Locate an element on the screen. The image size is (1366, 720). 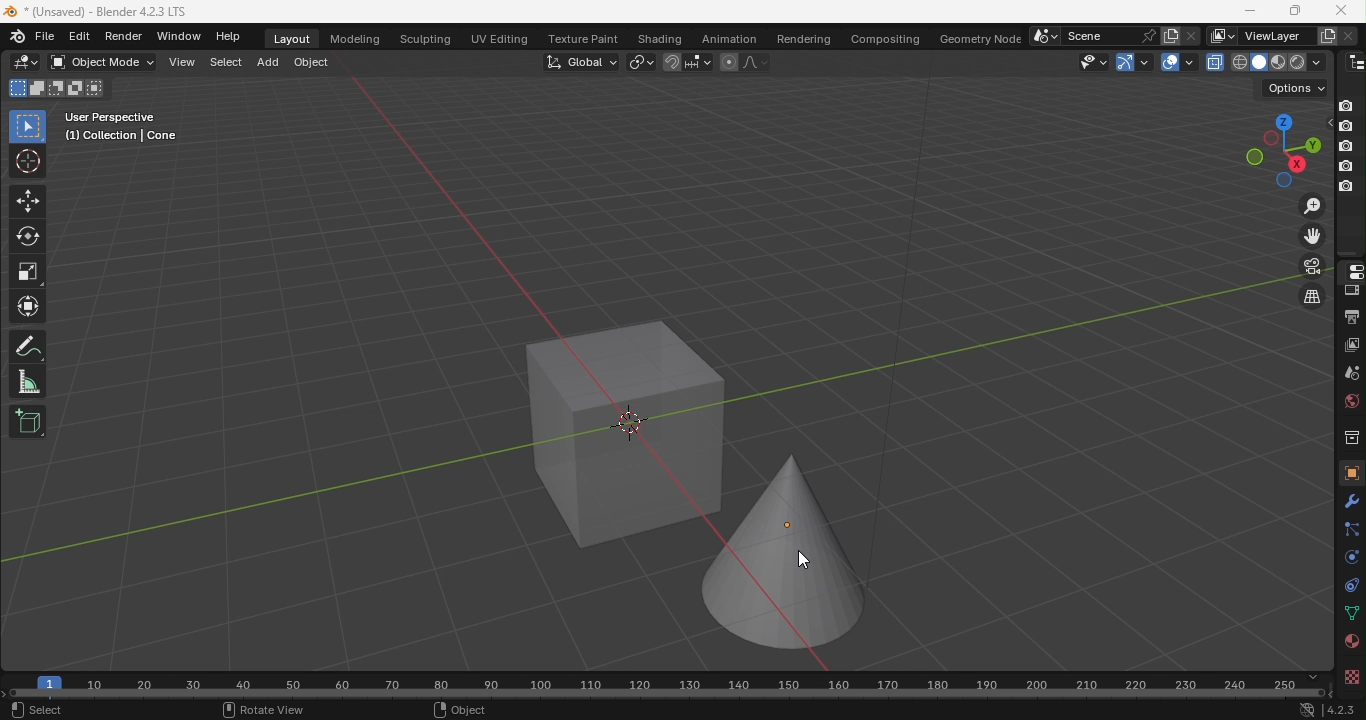
Drop down menu is located at coordinates (1295, 88).